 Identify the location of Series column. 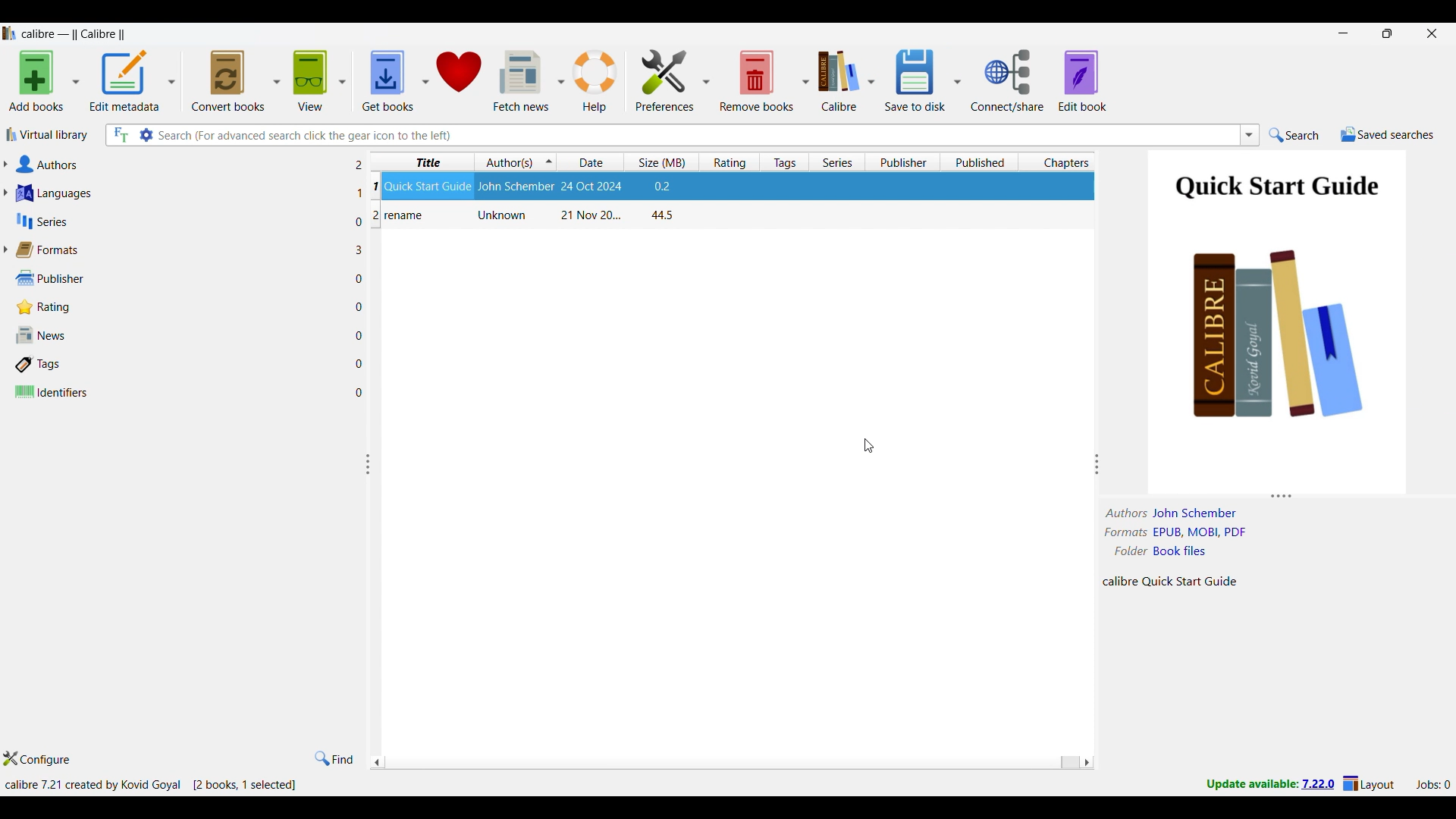
(836, 162).